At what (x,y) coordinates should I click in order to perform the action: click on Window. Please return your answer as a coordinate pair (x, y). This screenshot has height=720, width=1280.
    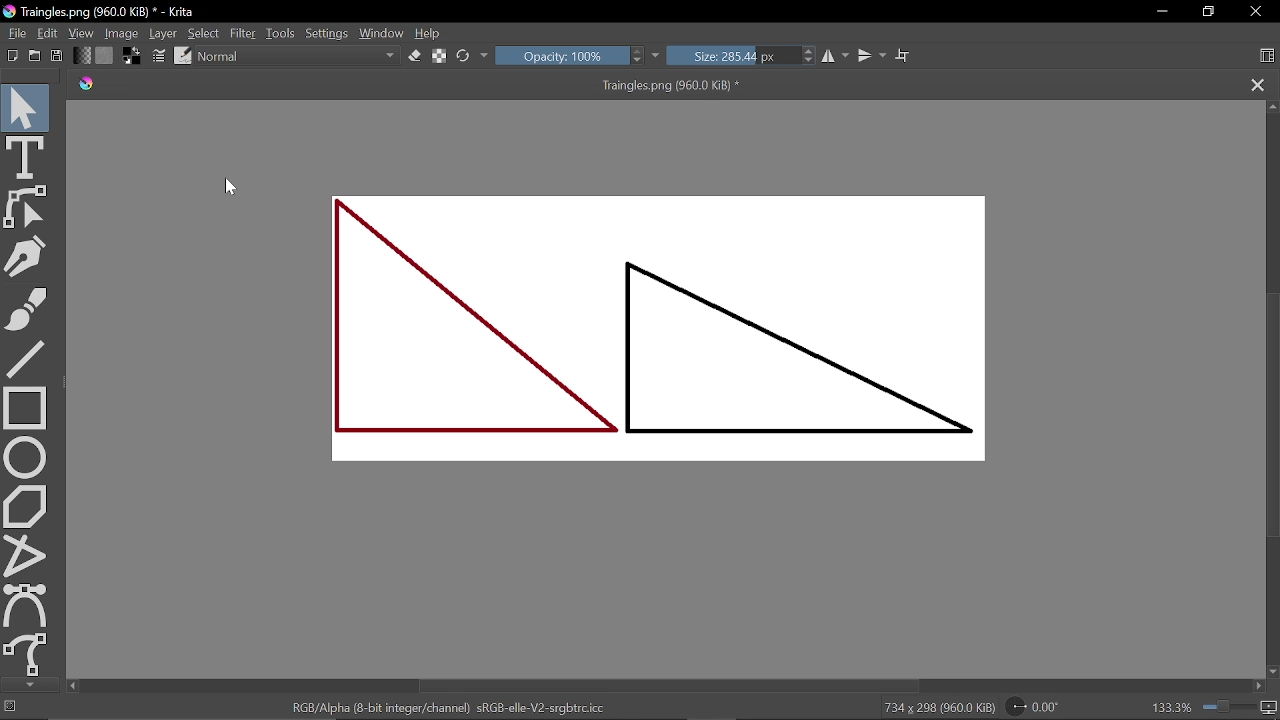
    Looking at the image, I should click on (382, 34).